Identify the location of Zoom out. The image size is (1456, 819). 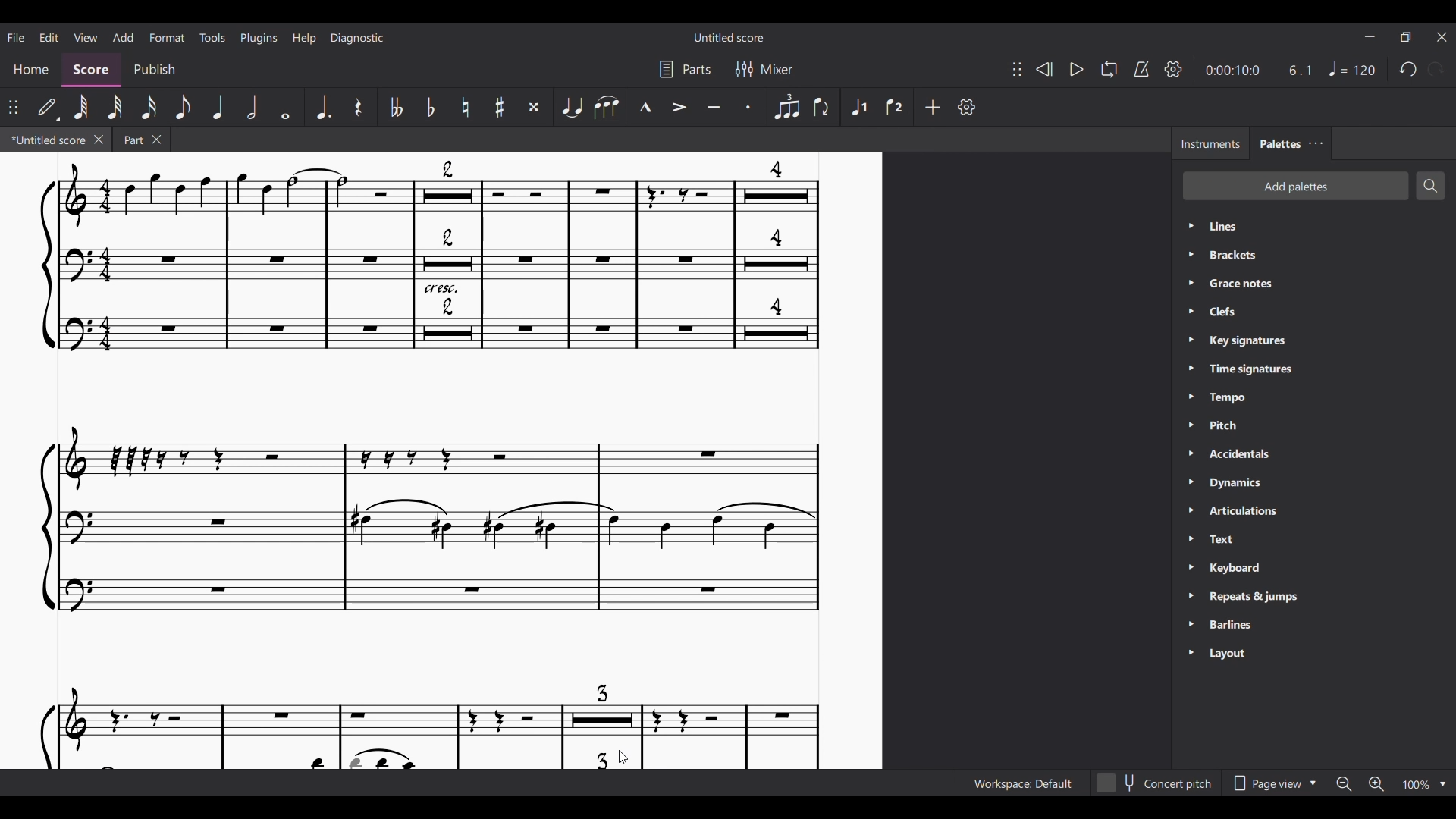
(1344, 784).